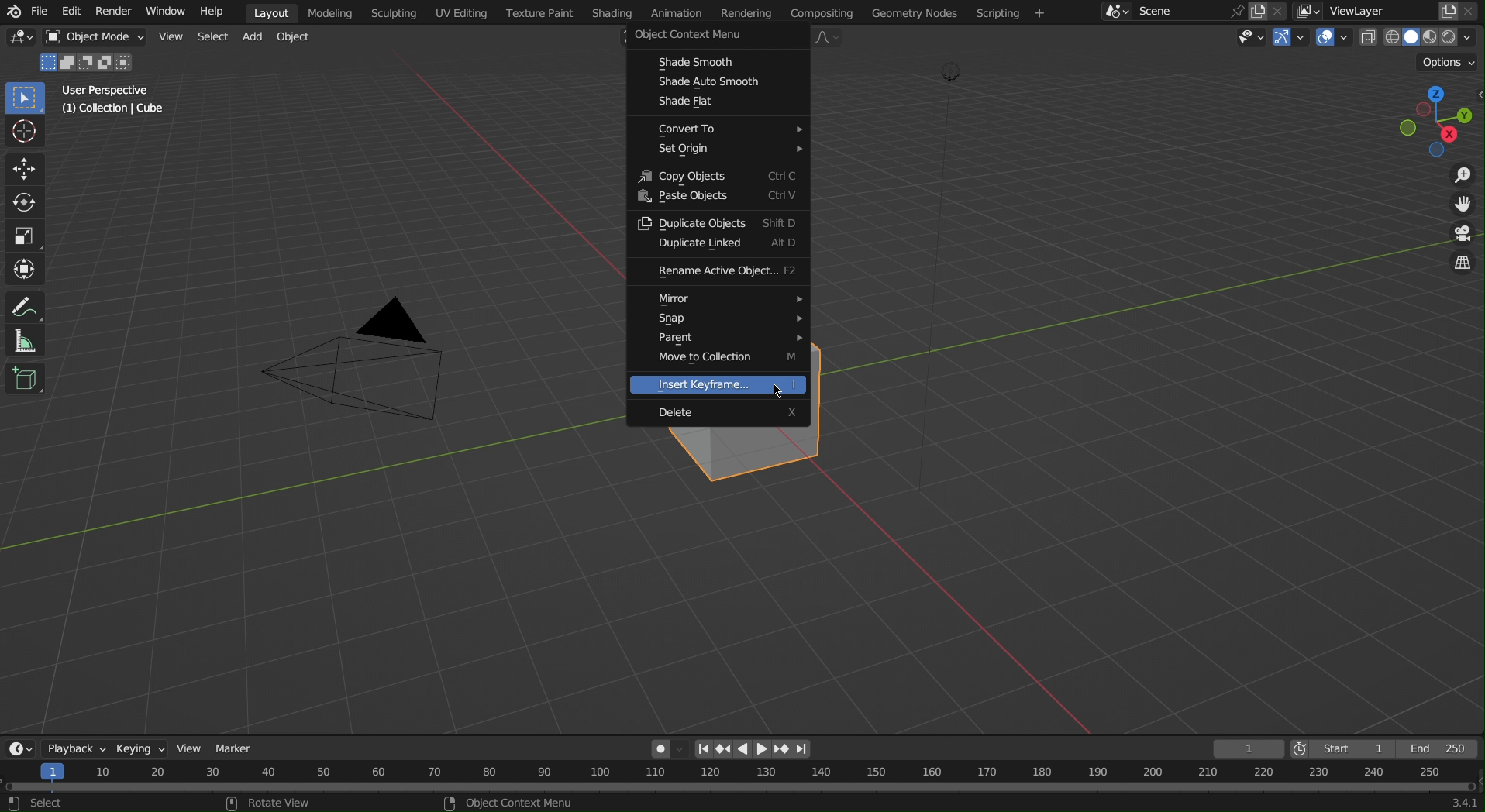 This screenshot has height=812, width=1485. I want to click on select, so click(47, 802).